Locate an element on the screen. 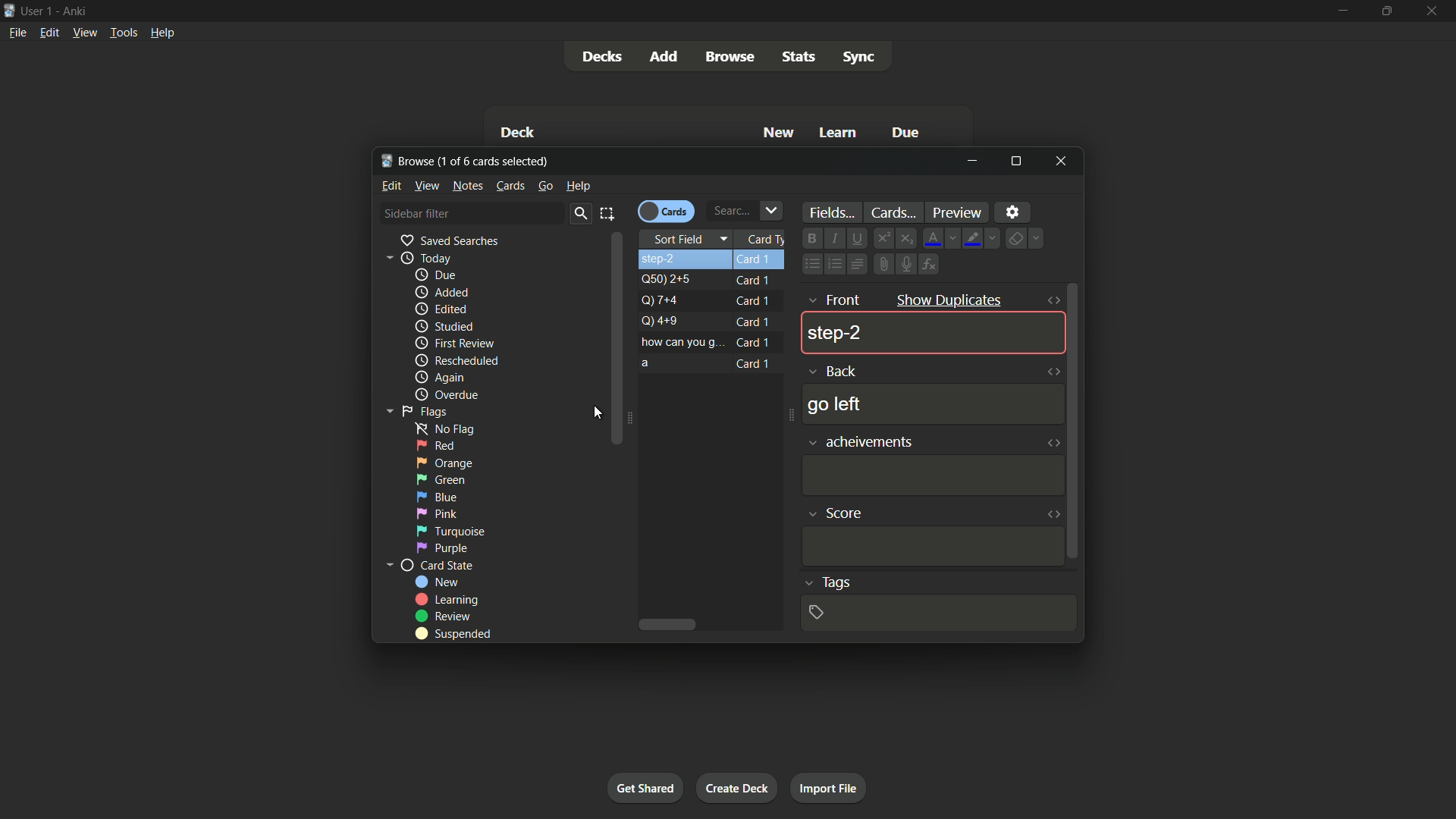 The height and width of the screenshot is (819, 1456). Today is located at coordinates (414, 258).